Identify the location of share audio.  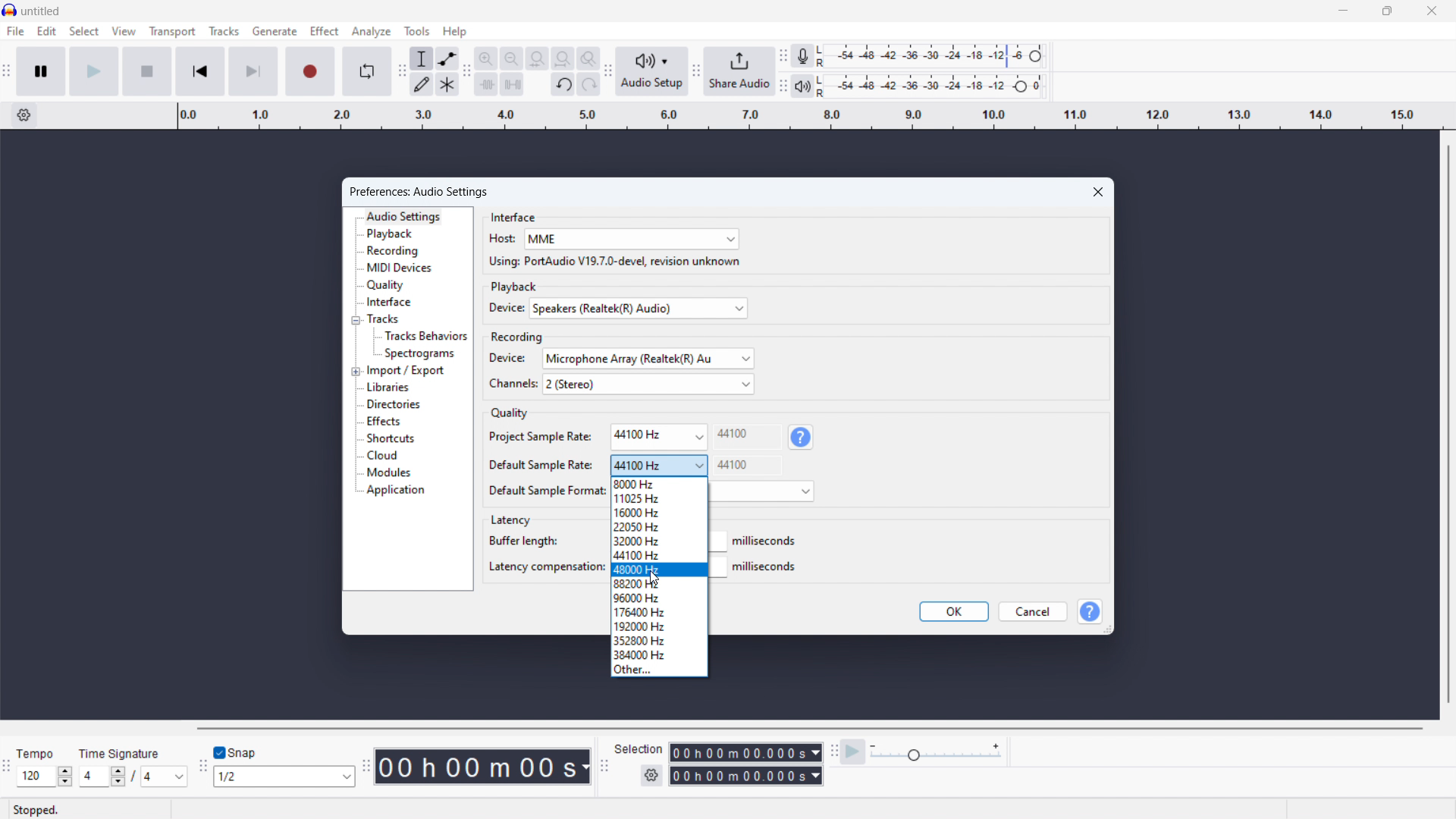
(739, 71).